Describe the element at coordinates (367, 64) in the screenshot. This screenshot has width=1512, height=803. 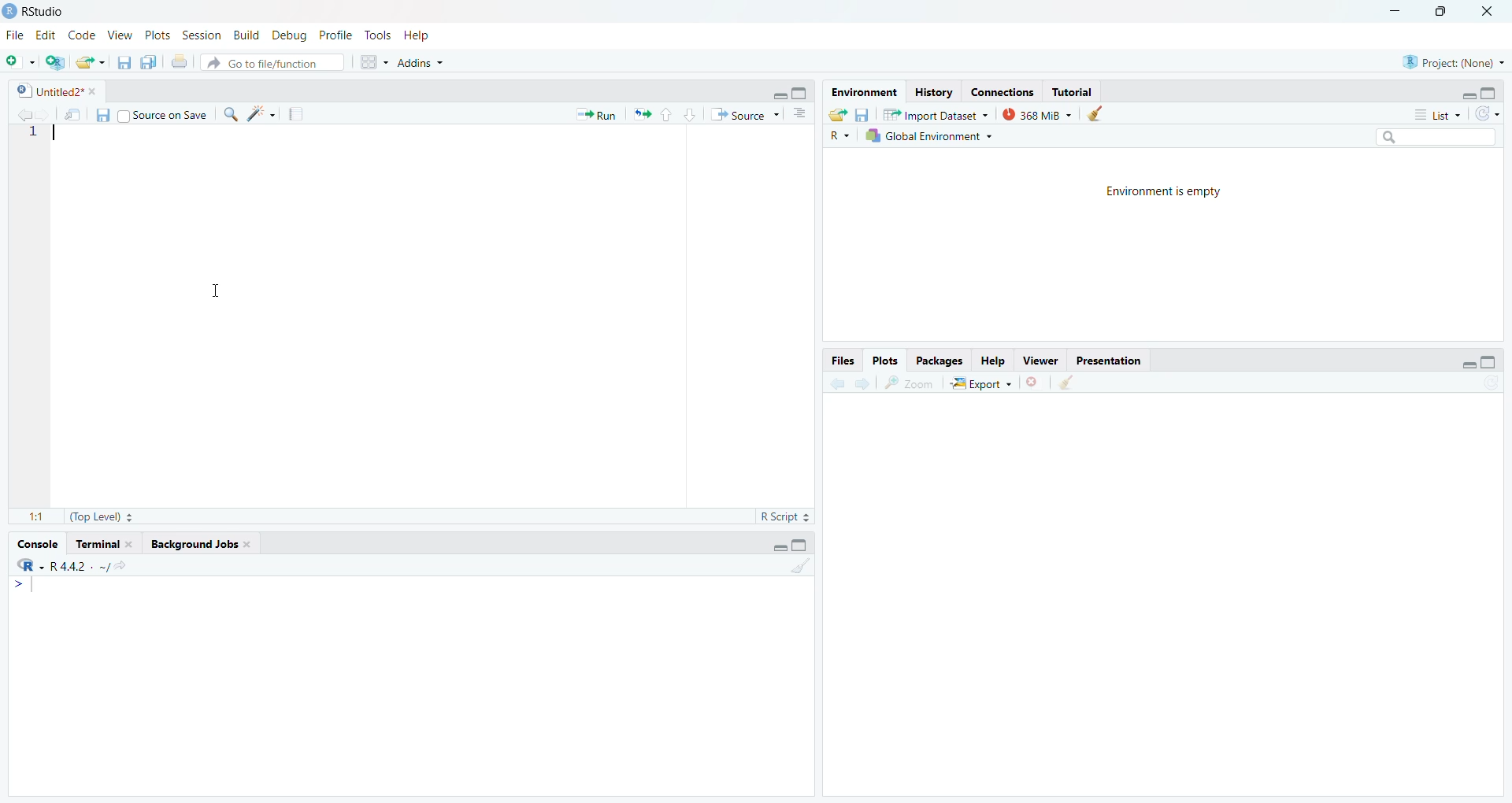
I see `grid` at that location.